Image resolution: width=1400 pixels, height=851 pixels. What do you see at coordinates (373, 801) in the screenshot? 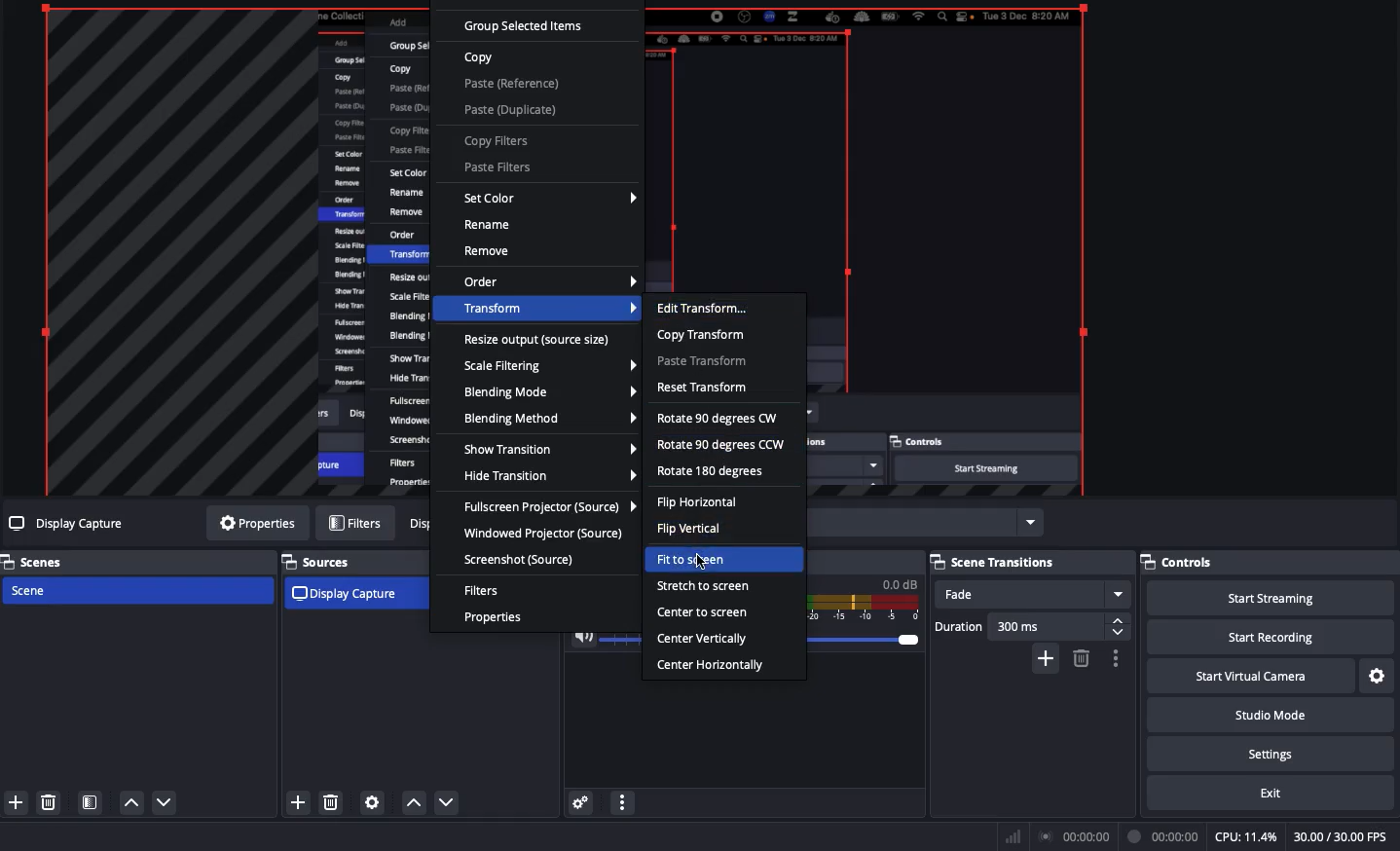
I see `settings` at bounding box center [373, 801].